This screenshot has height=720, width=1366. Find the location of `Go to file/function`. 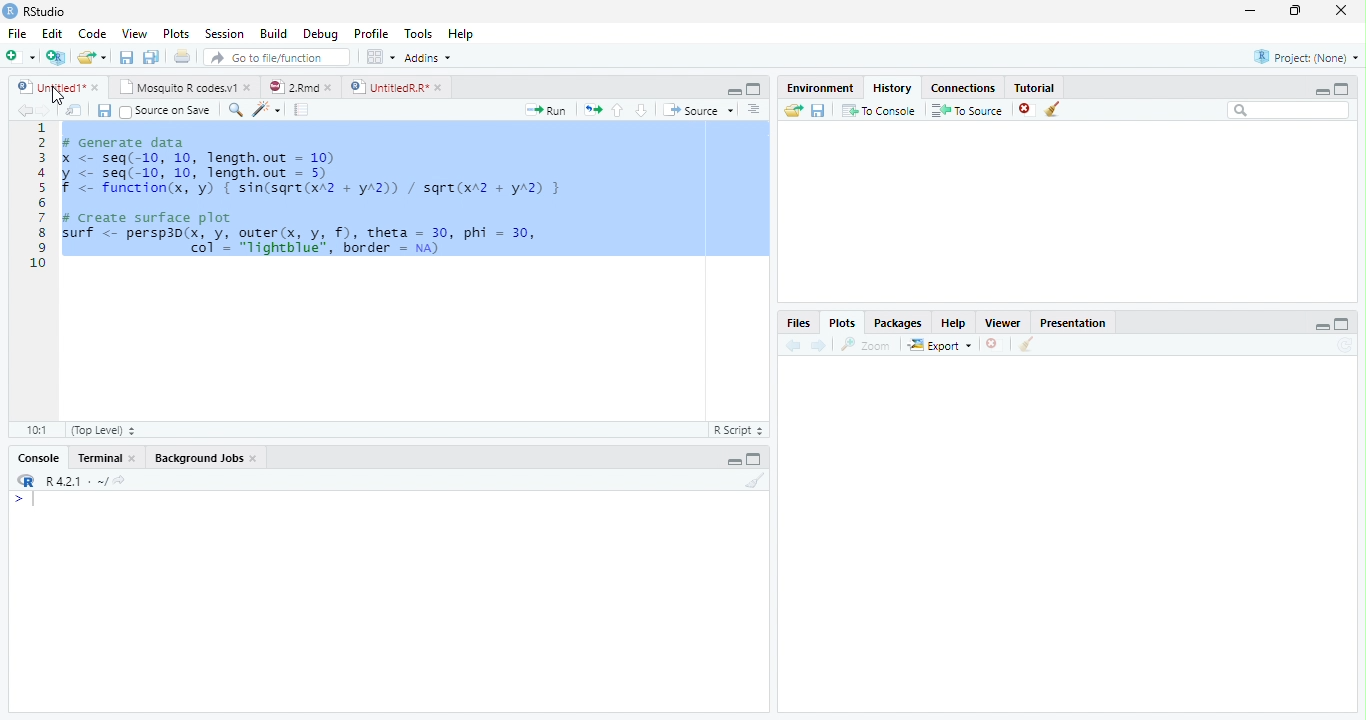

Go to file/function is located at coordinates (277, 56).